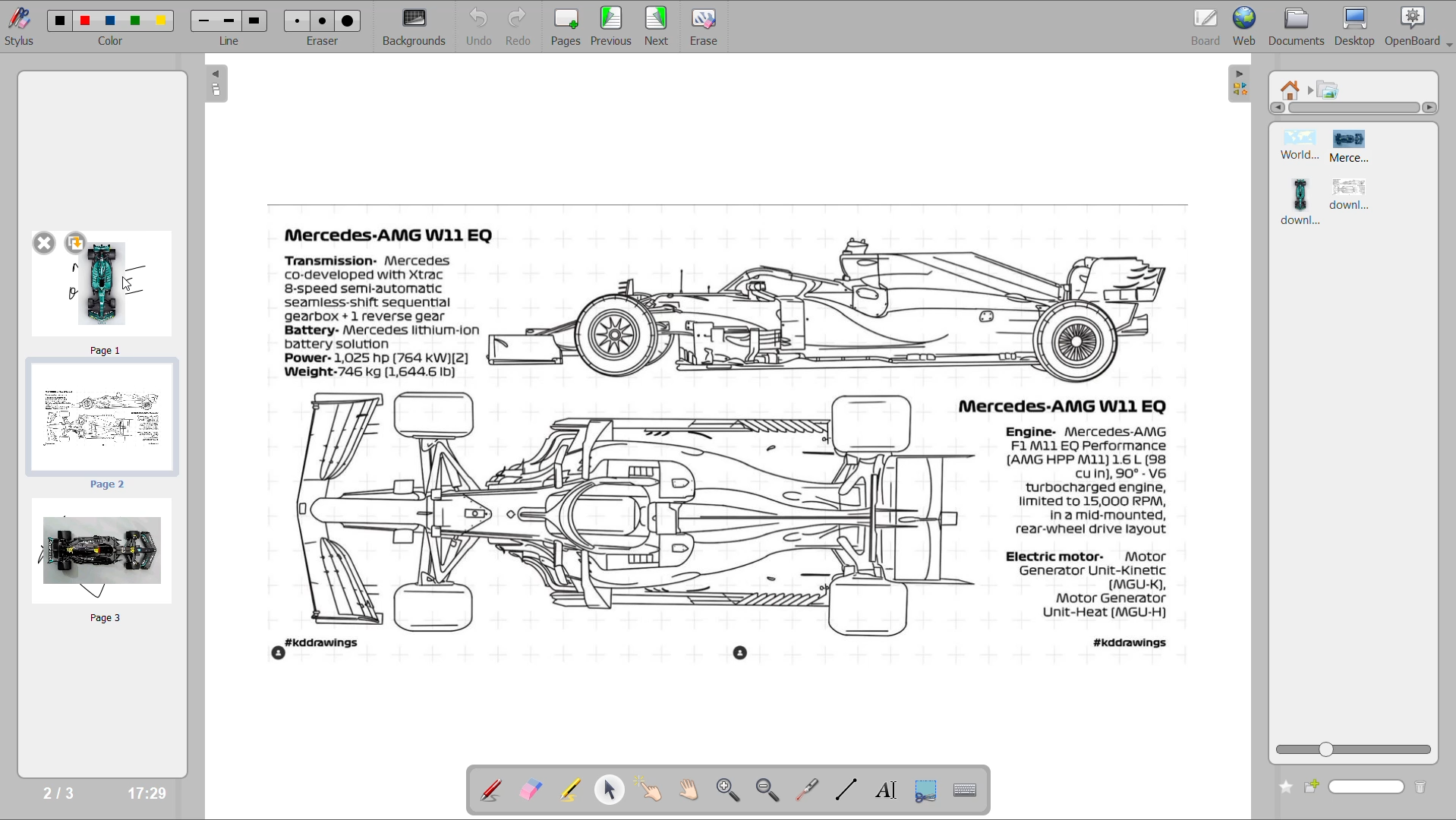  I want to click on add to favourites, so click(1283, 785).